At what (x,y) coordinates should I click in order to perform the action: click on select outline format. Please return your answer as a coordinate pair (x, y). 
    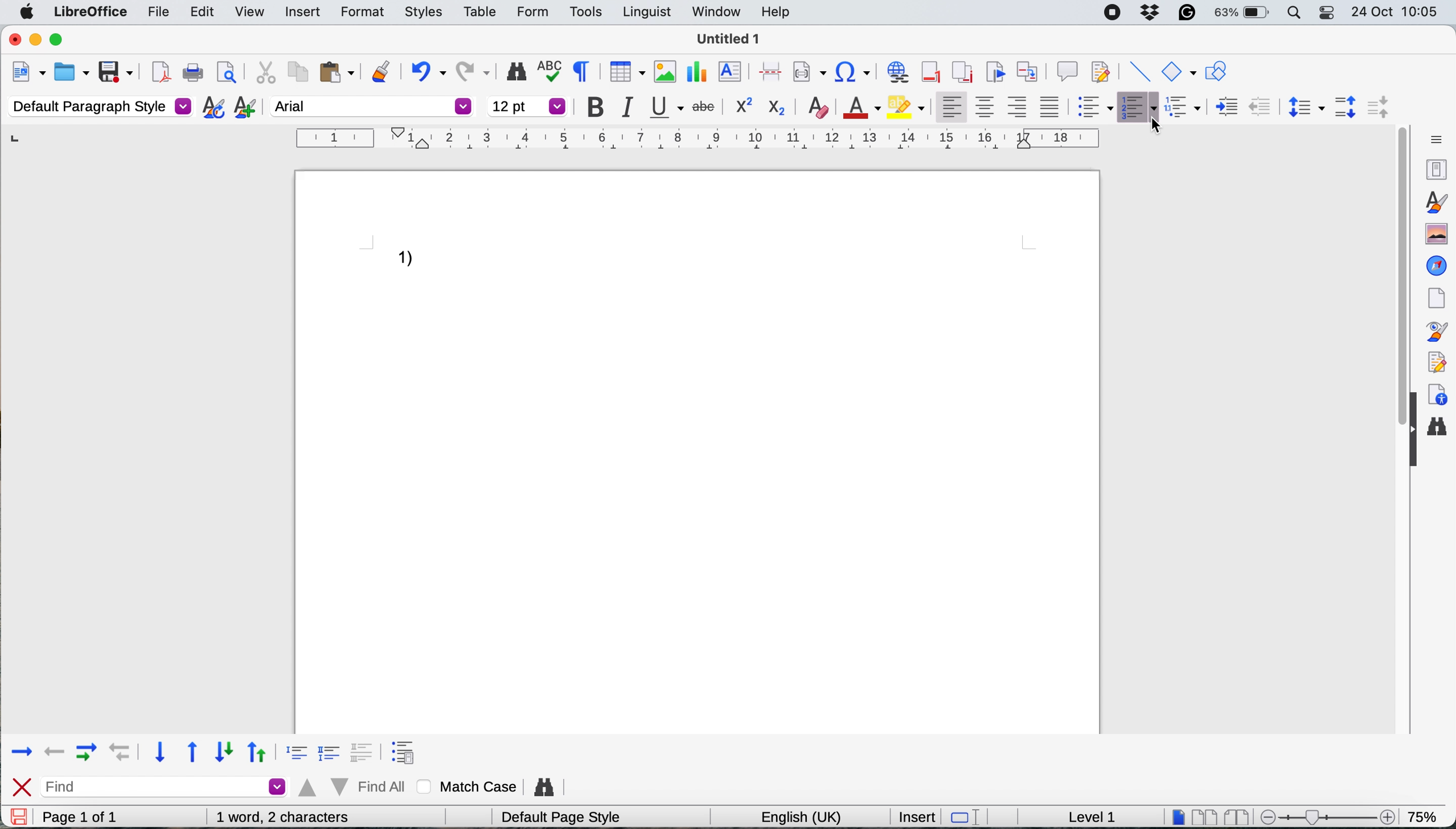
    Looking at the image, I should click on (1187, 106).